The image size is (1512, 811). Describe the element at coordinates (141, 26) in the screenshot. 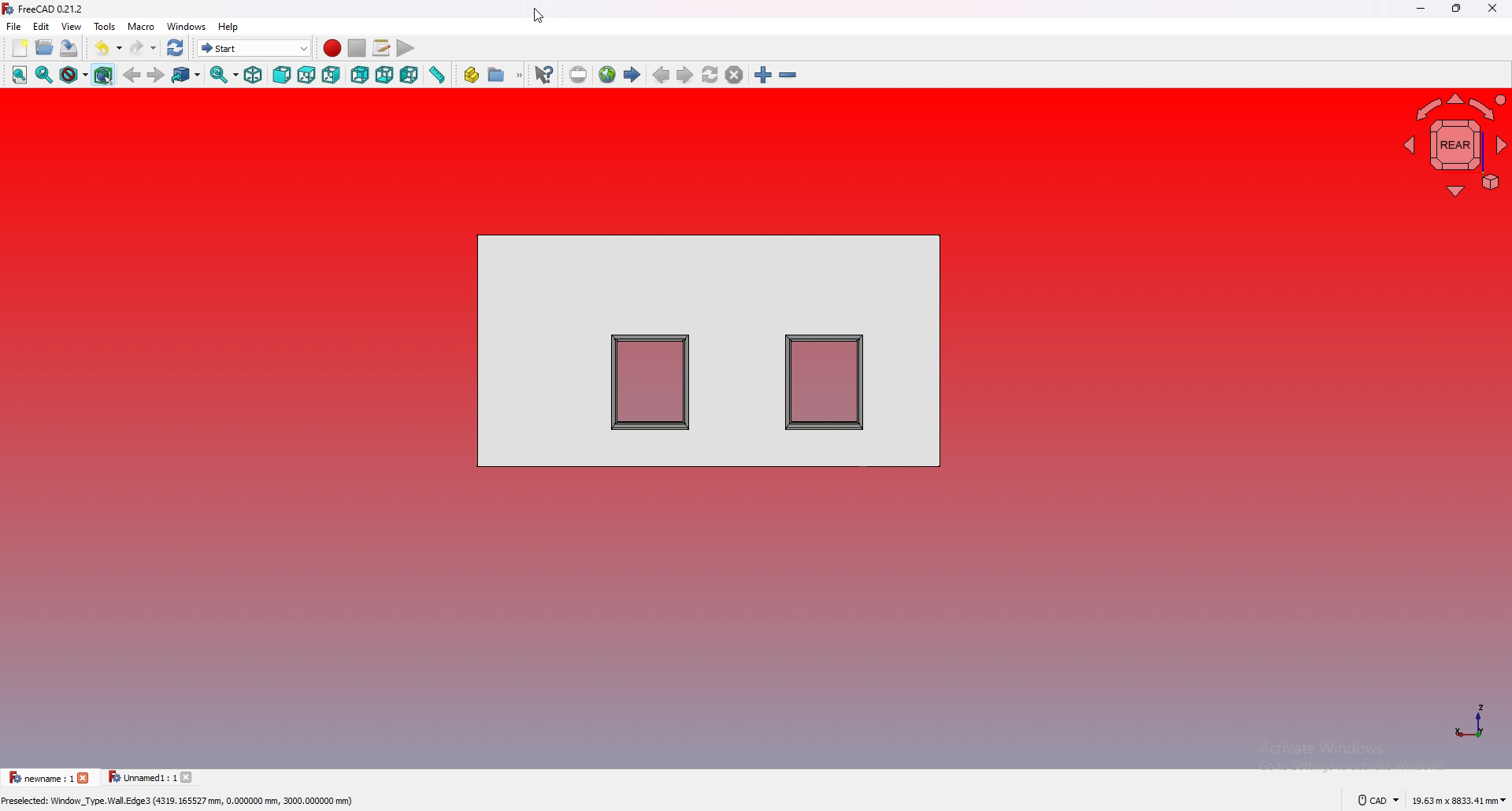

I see `macro` at that location.